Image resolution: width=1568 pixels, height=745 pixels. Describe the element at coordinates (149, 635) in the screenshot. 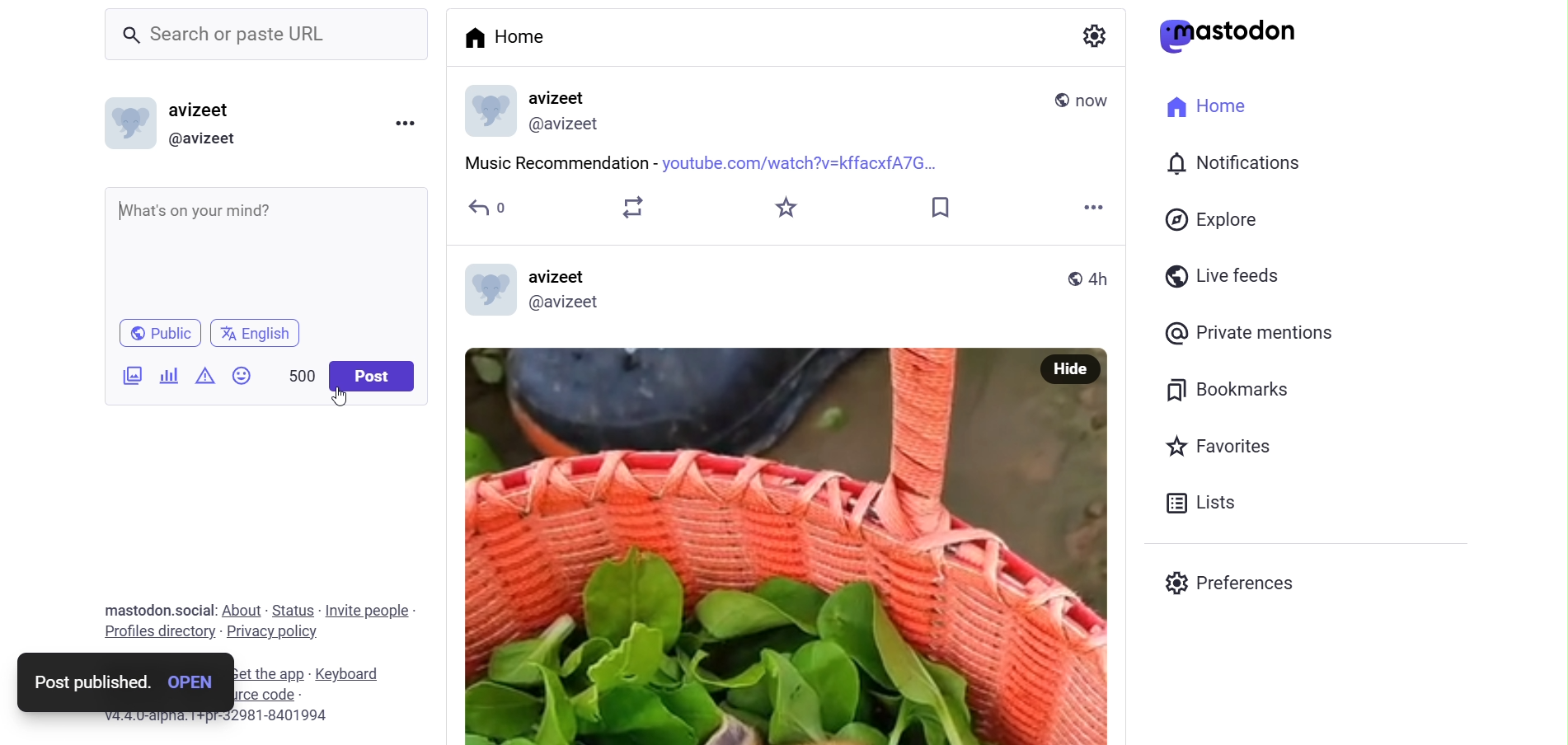

I see `profiles` at that location.